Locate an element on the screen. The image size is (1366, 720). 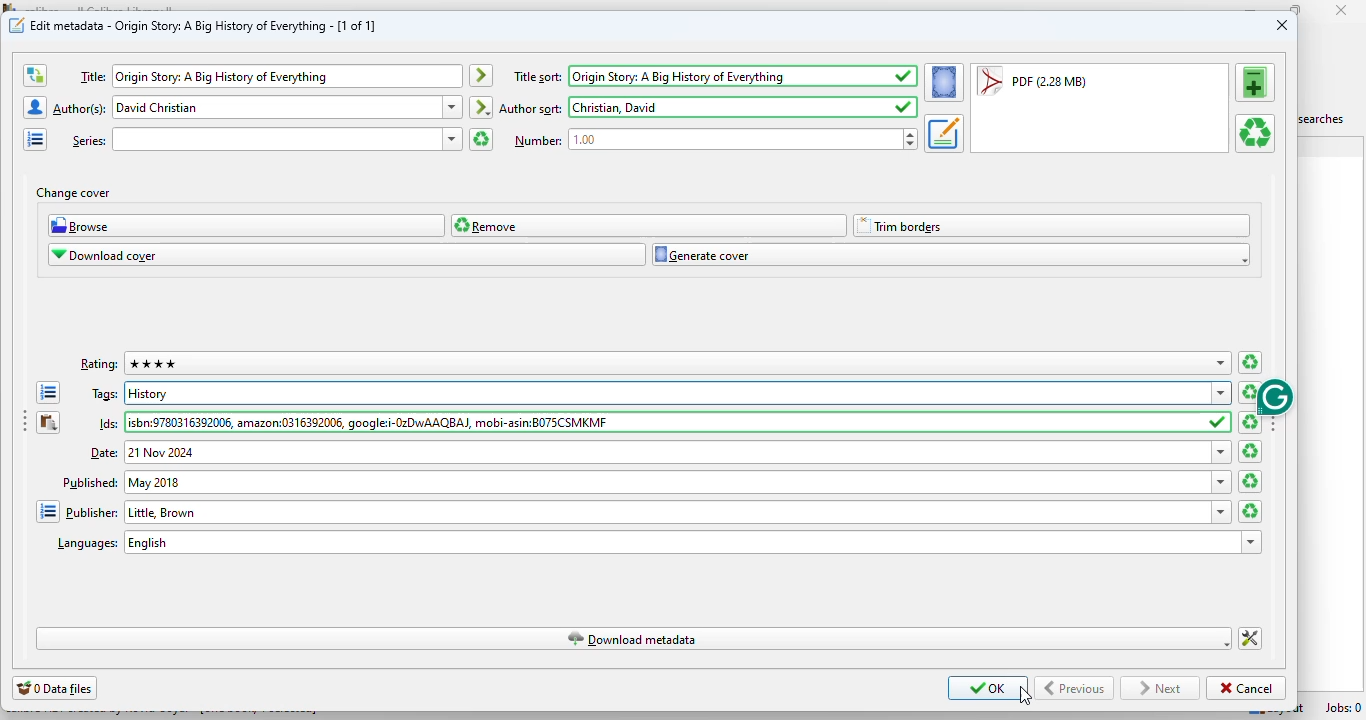
close is located at coordinates (1282, 24).